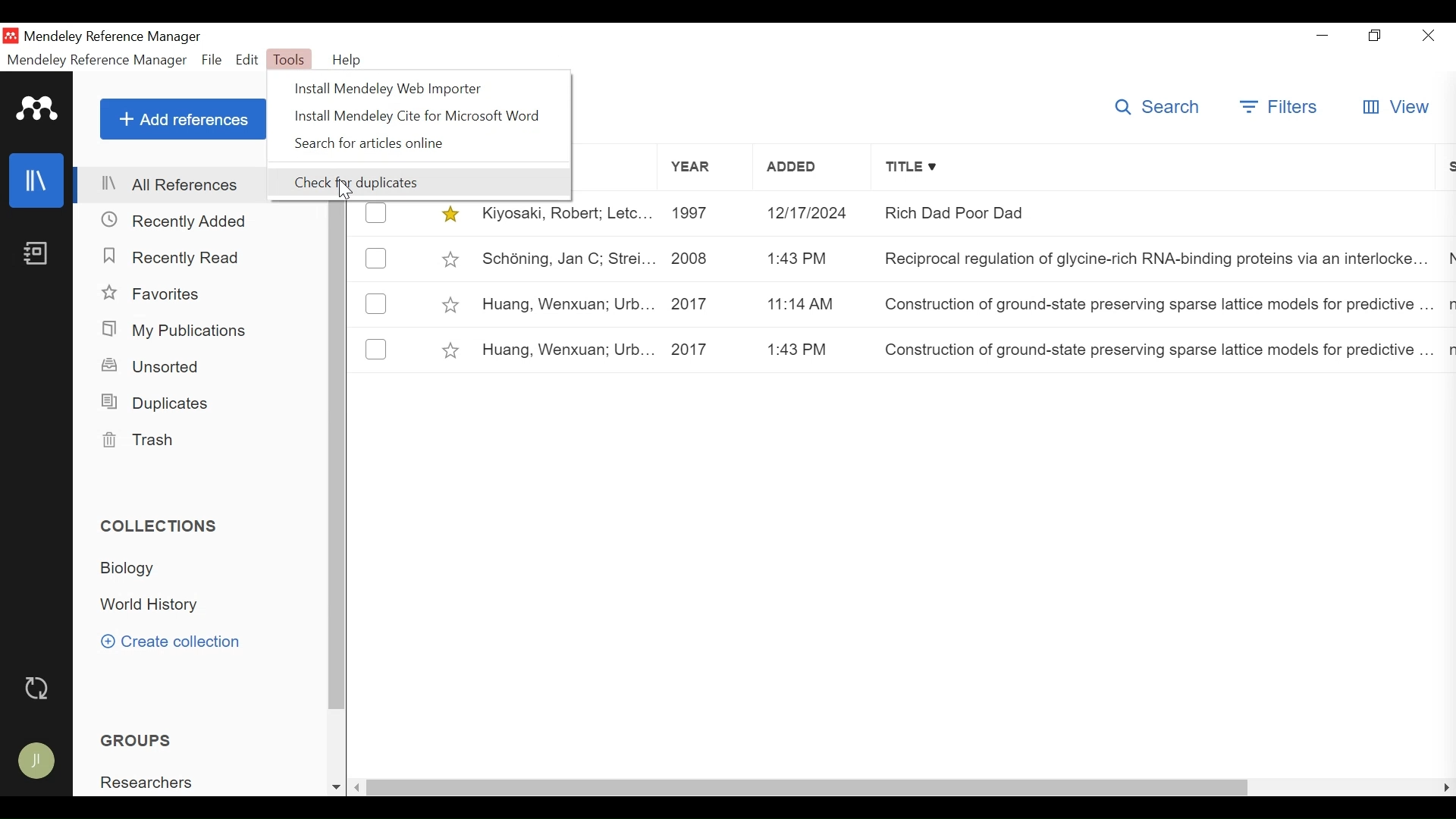  What do you see at coordinates (11, 35) in the screenshot?
I see `Mendeley Desktop Icon` at bounding box center [11, 35].